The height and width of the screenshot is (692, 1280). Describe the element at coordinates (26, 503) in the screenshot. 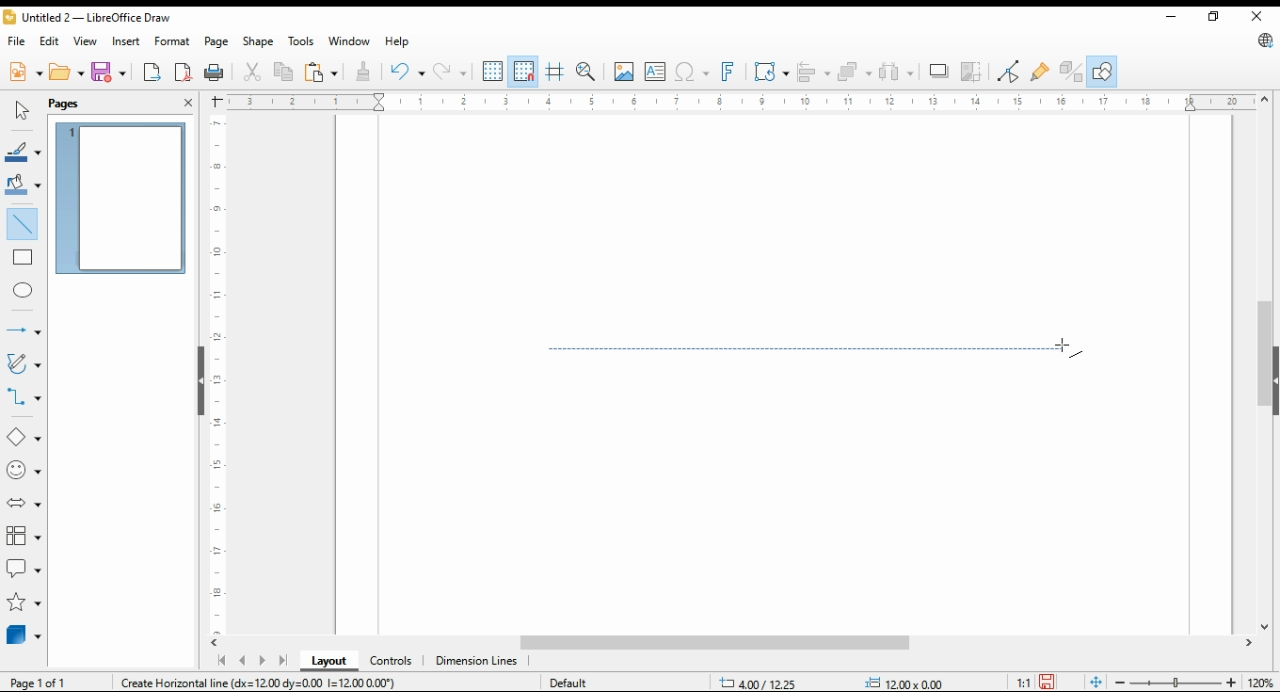

I see `block arrows` at that location.